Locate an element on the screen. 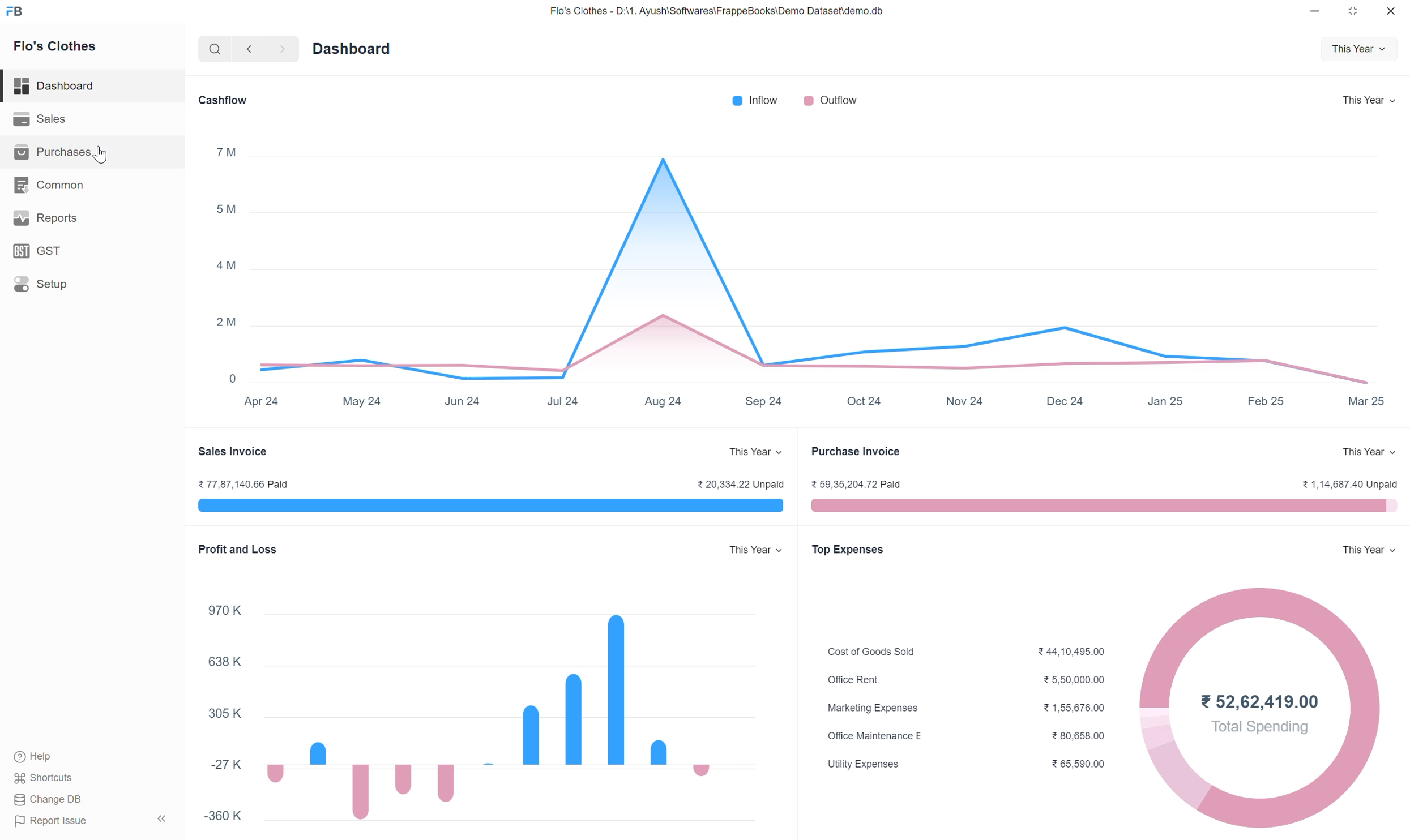 The image size is (1410, 840). -27 K is located at coordinates (227, 765).